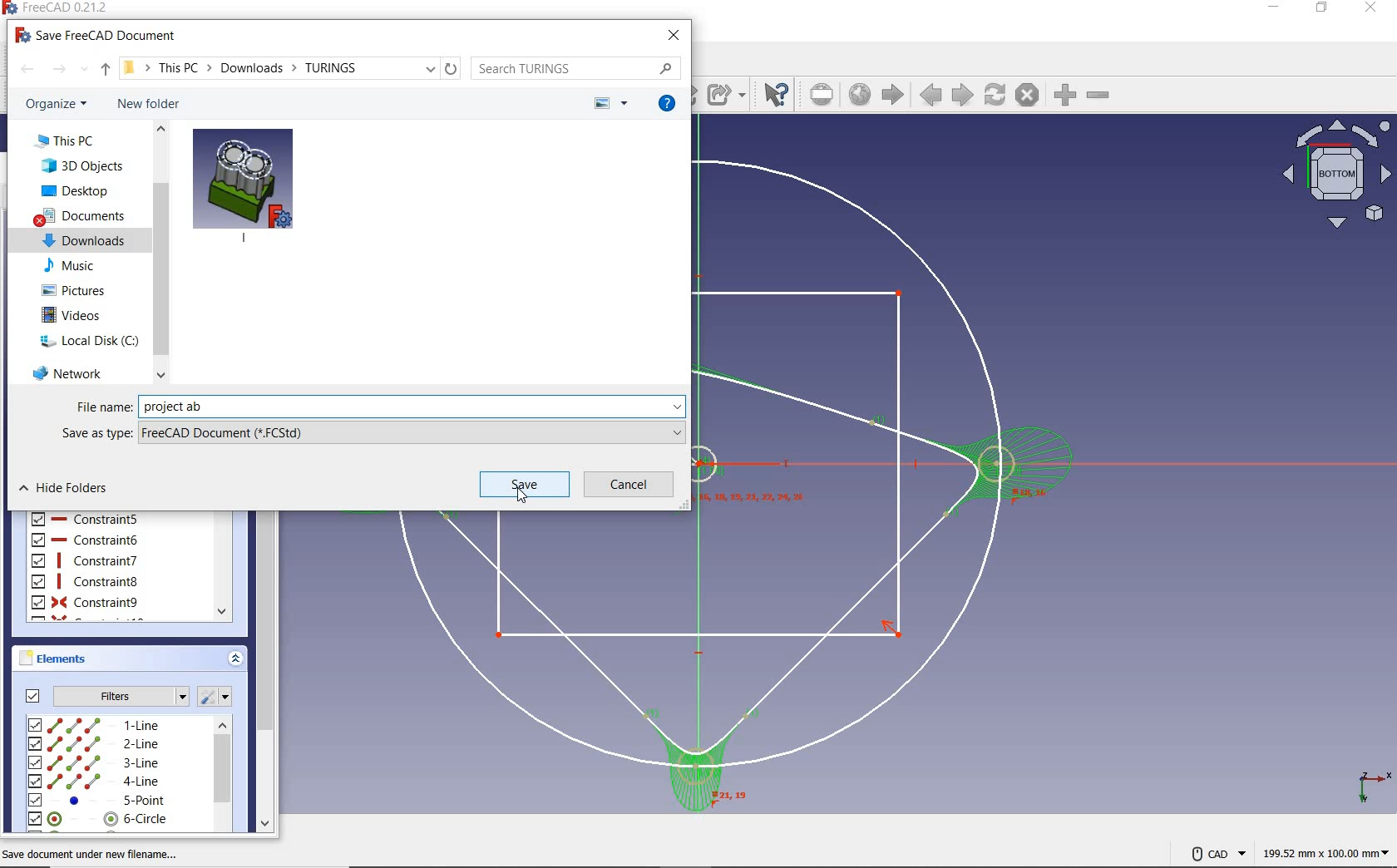  What do you see at coordinates (149, 104) in the screenshot?
I see `new folder` at bounding box center [149, 104].